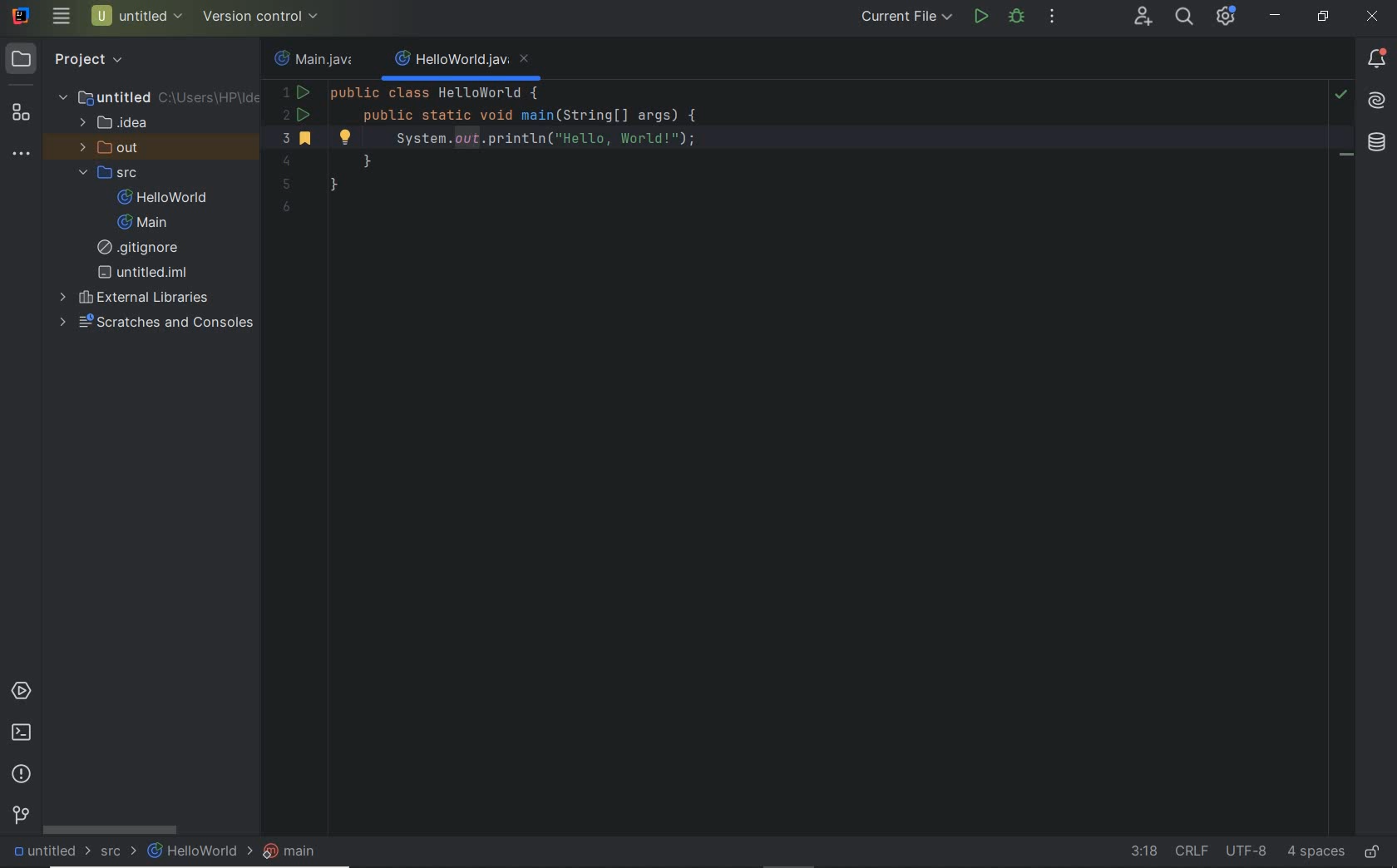 The height and width of the screenshot is (868, 1397). Describe the element at coordinates (22, 692) in the screenshot. I see `services` at that location.